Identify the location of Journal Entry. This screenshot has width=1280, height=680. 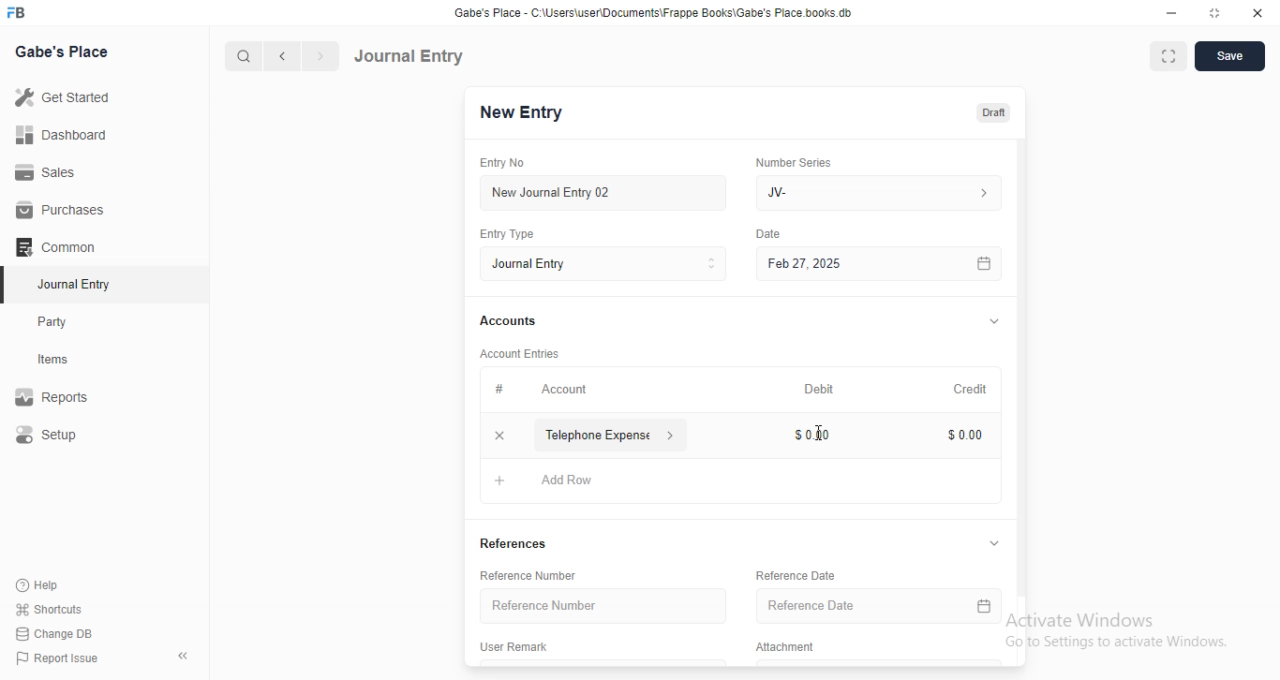
(603, 264).